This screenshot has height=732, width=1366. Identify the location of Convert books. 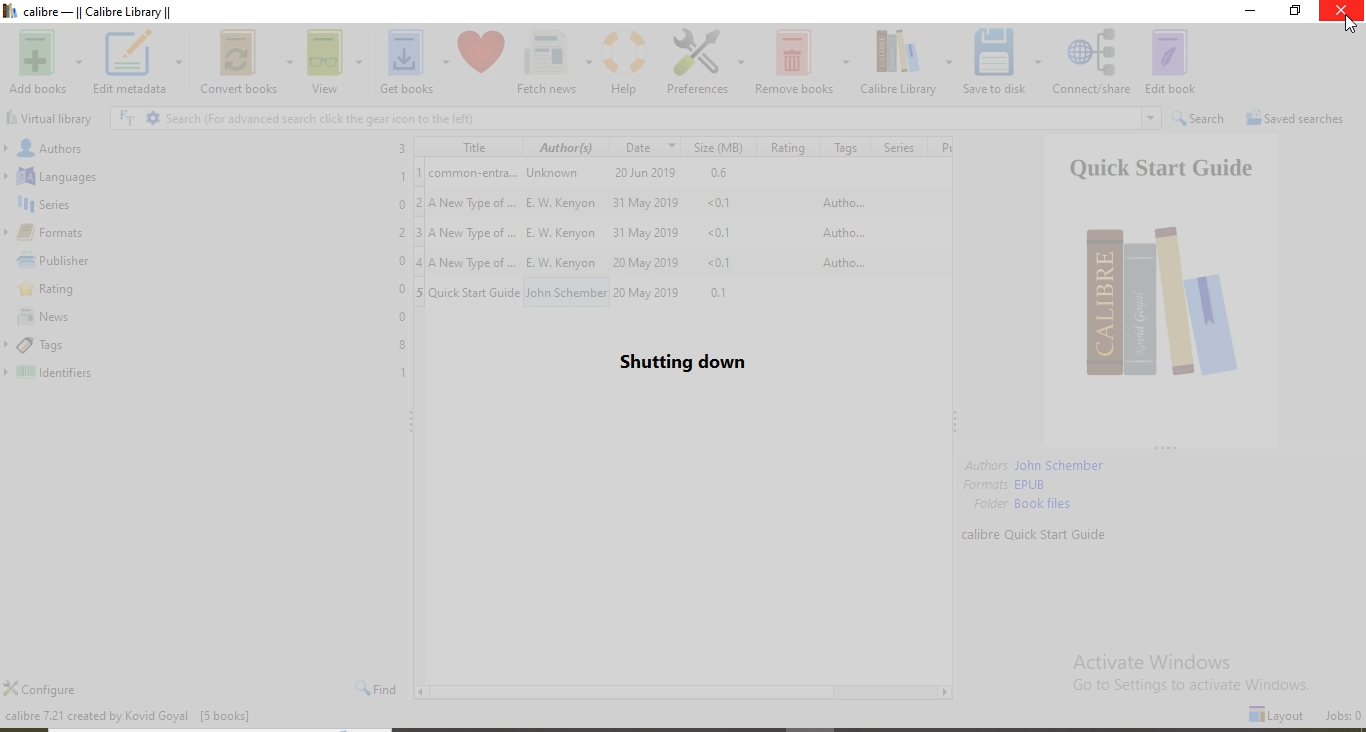
(247, 62).